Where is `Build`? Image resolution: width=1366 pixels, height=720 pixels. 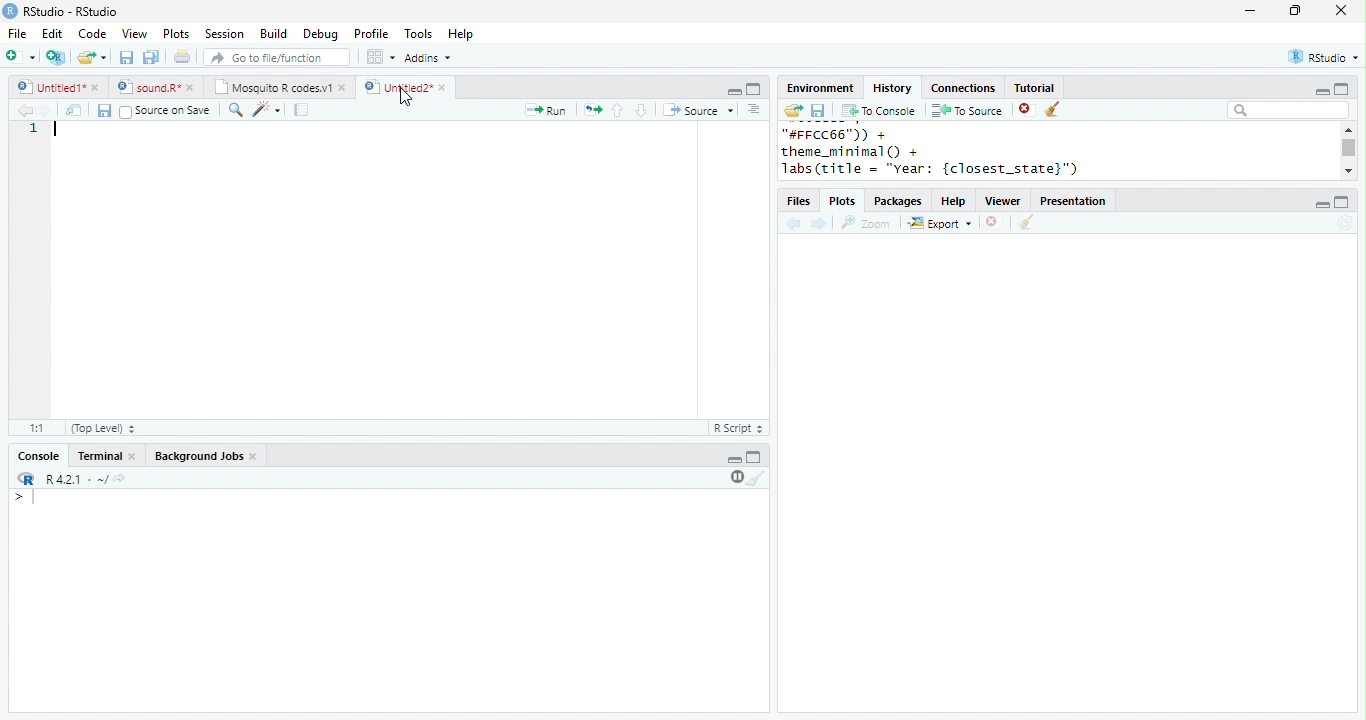
Build is located at coordinates (273, 33).